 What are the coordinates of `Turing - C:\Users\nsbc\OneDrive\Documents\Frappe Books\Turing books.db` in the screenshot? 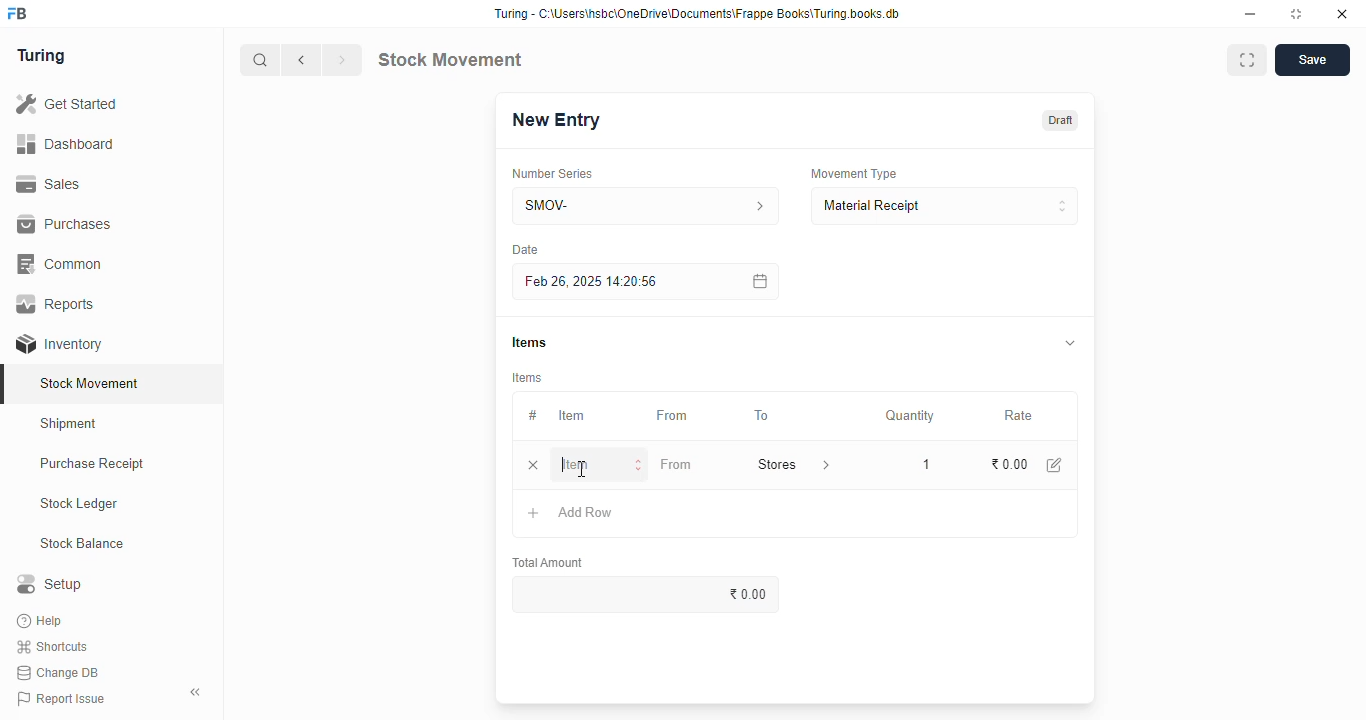 It's located at (698, 14).